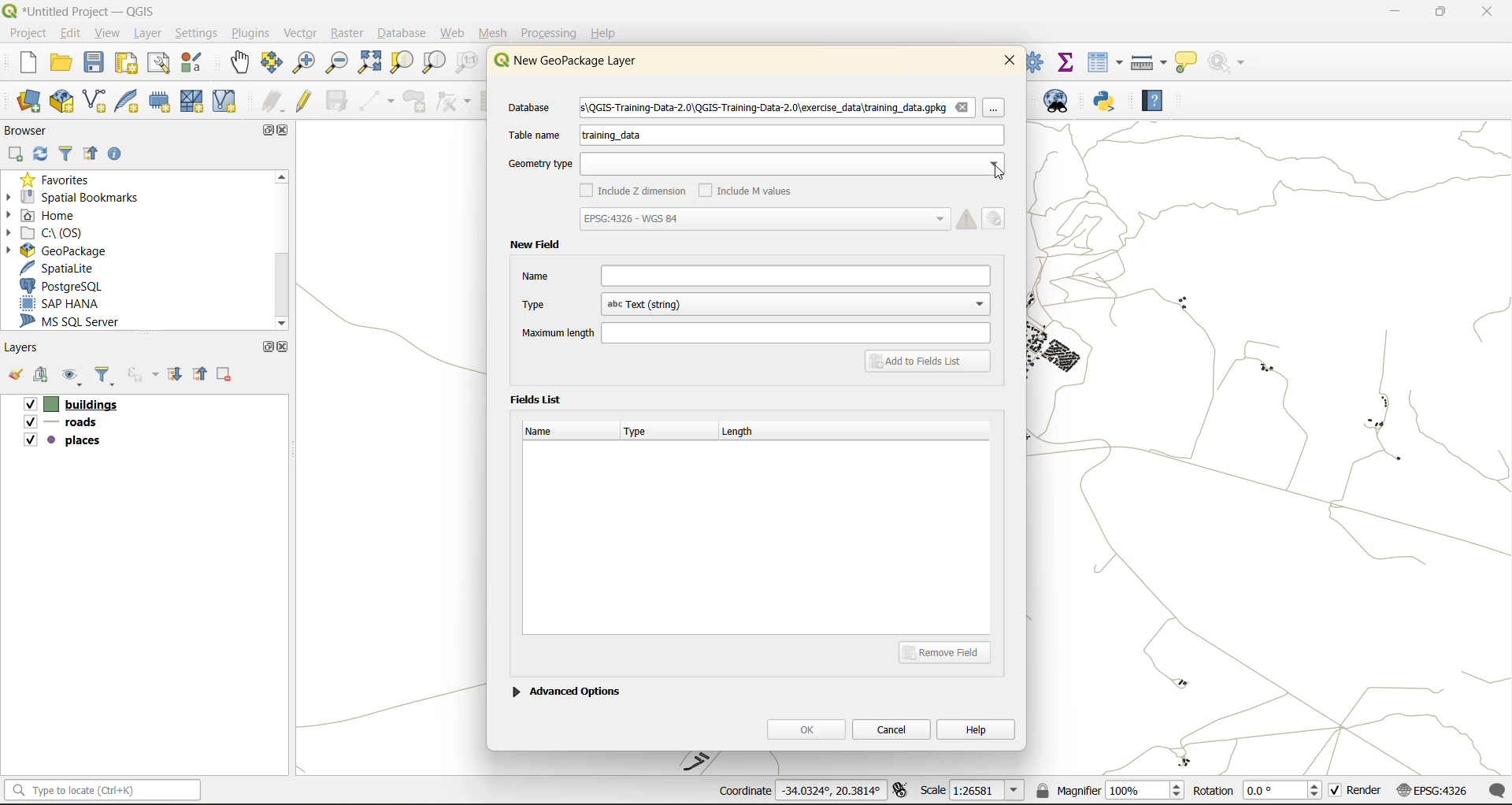 The width and height of the screenshot is (1512, 805). I want to click on attributes table, so click(1106, 62).